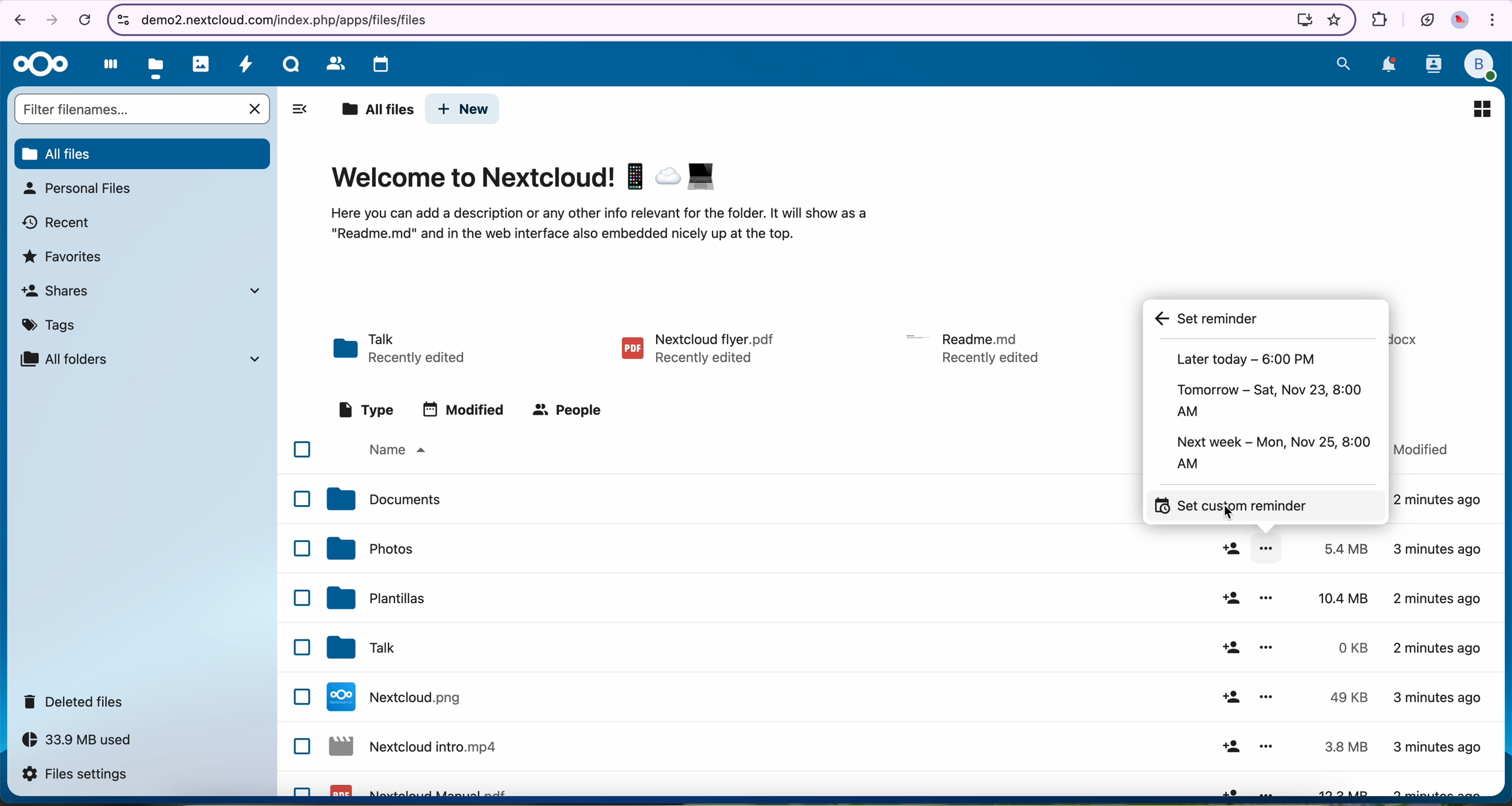 This screenshot has height=806, width=1512. What do you see at coordinates (84, 21) in the screenshot?
I see `cancel` at bounding box center [84, 21].